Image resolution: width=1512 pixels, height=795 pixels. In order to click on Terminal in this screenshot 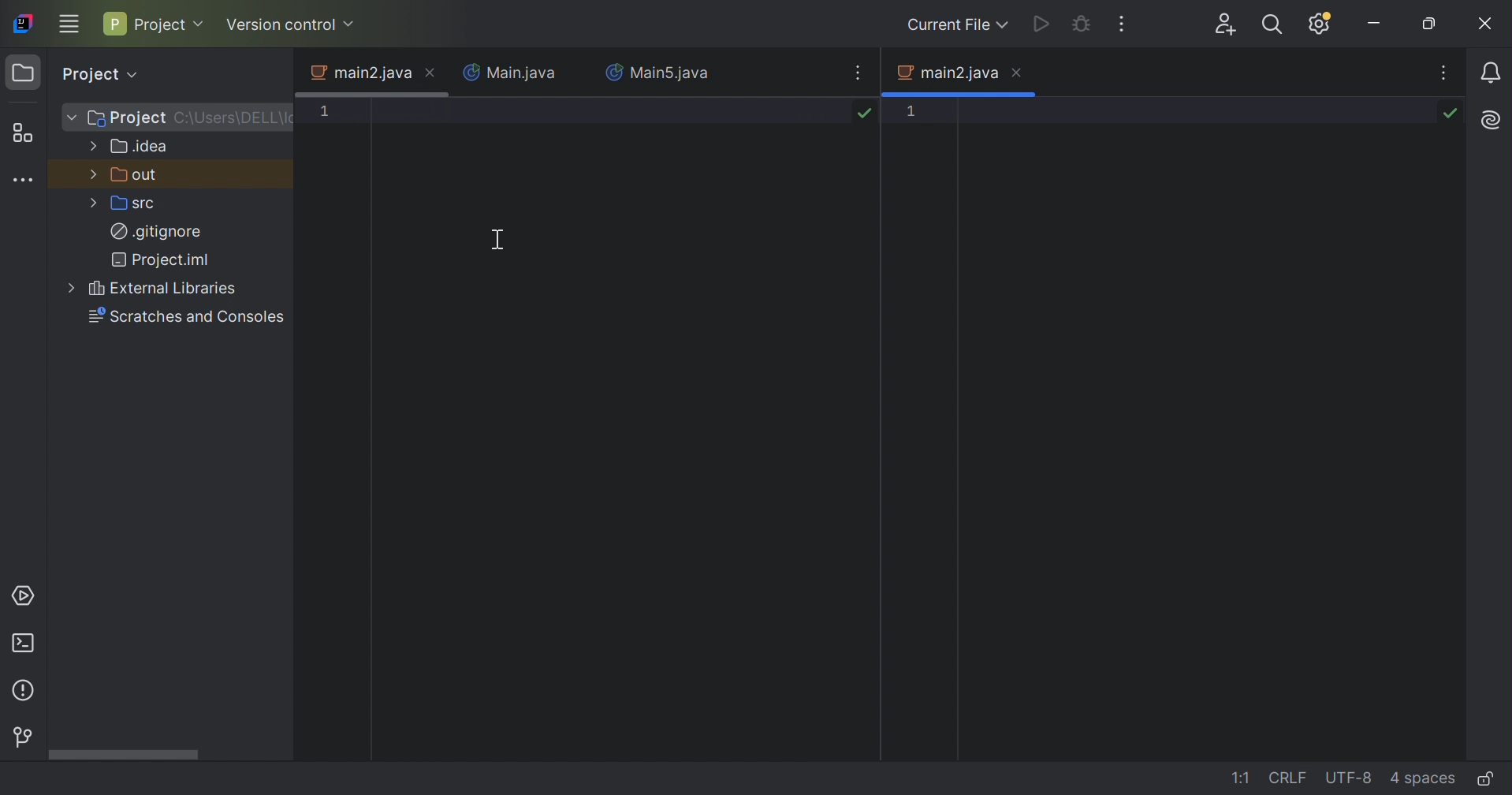, I will do `click(28, 644)`.